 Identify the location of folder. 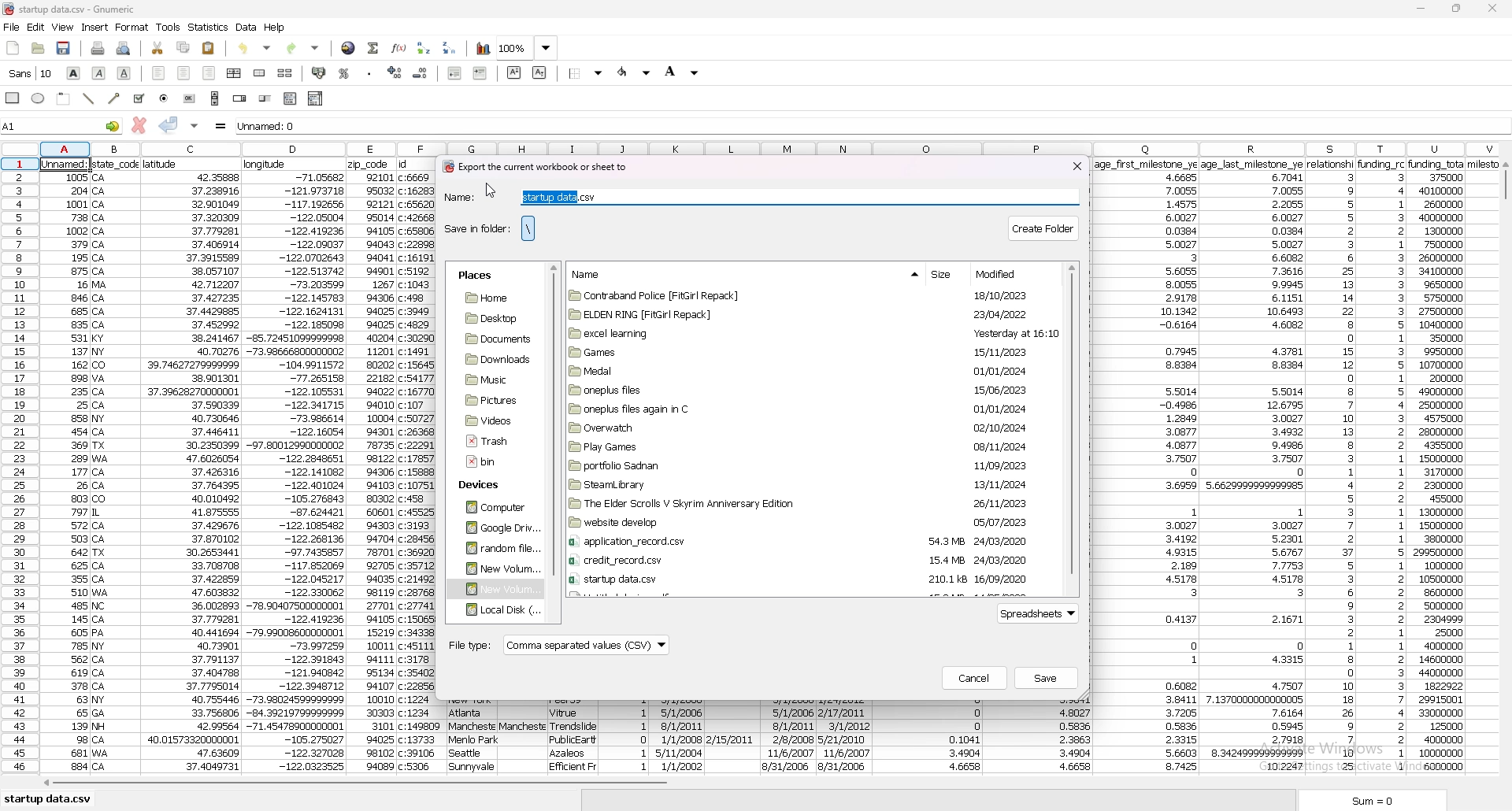
(808, 561).